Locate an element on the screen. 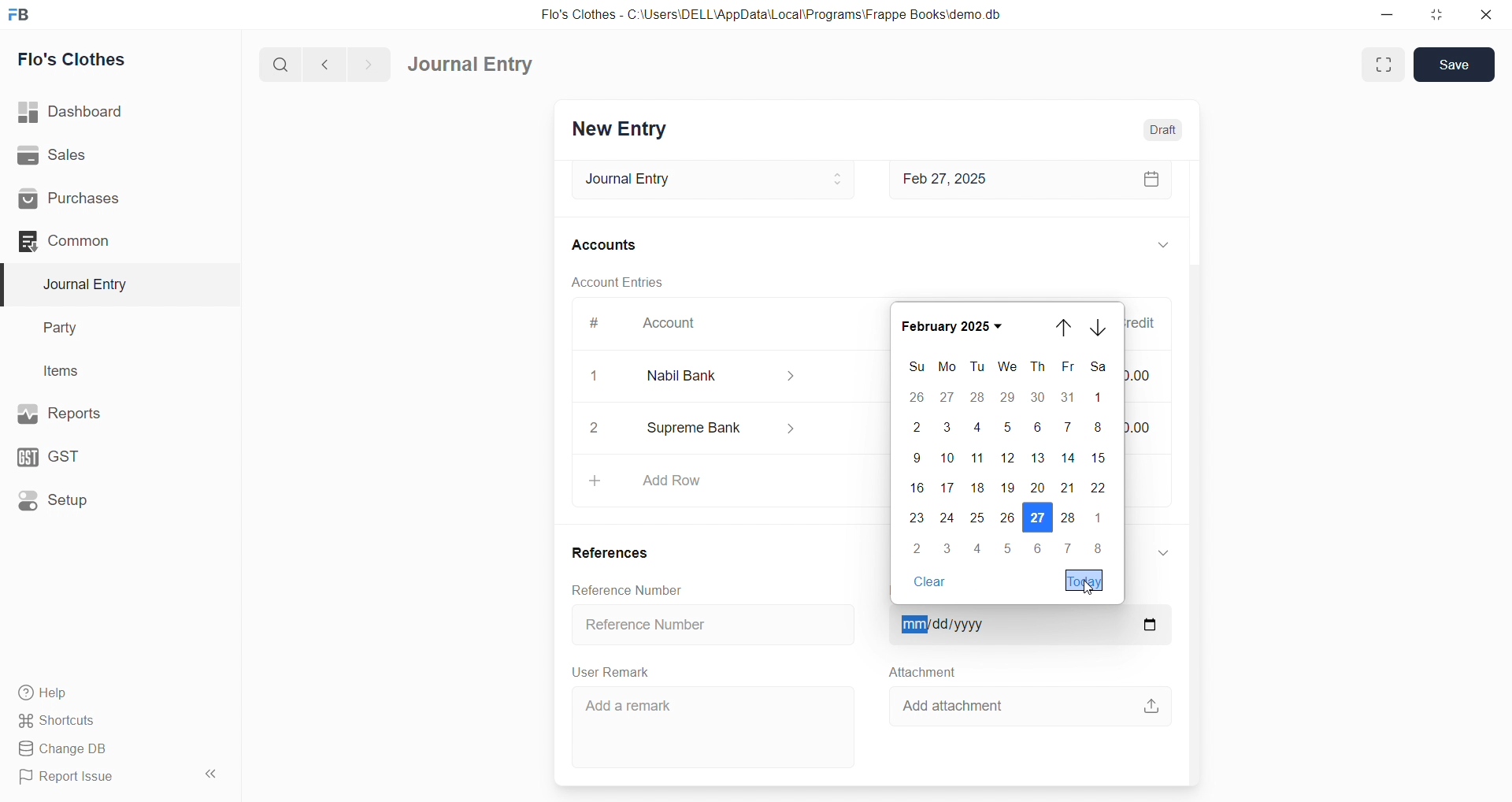 The height and width of the screenshot is (802, 1512). ₹0.00 is located at coordinates (1143, 375).